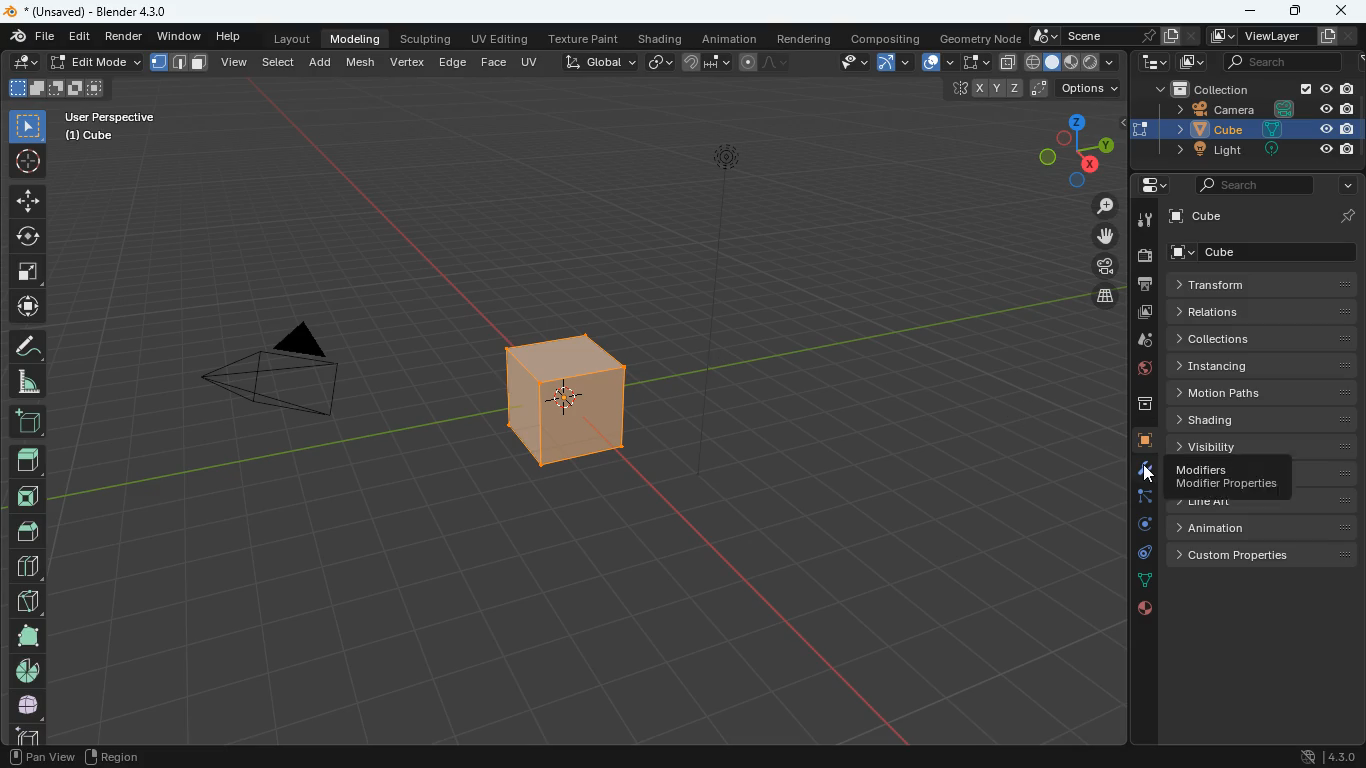  I want to click on rendering, so click(807, 38).